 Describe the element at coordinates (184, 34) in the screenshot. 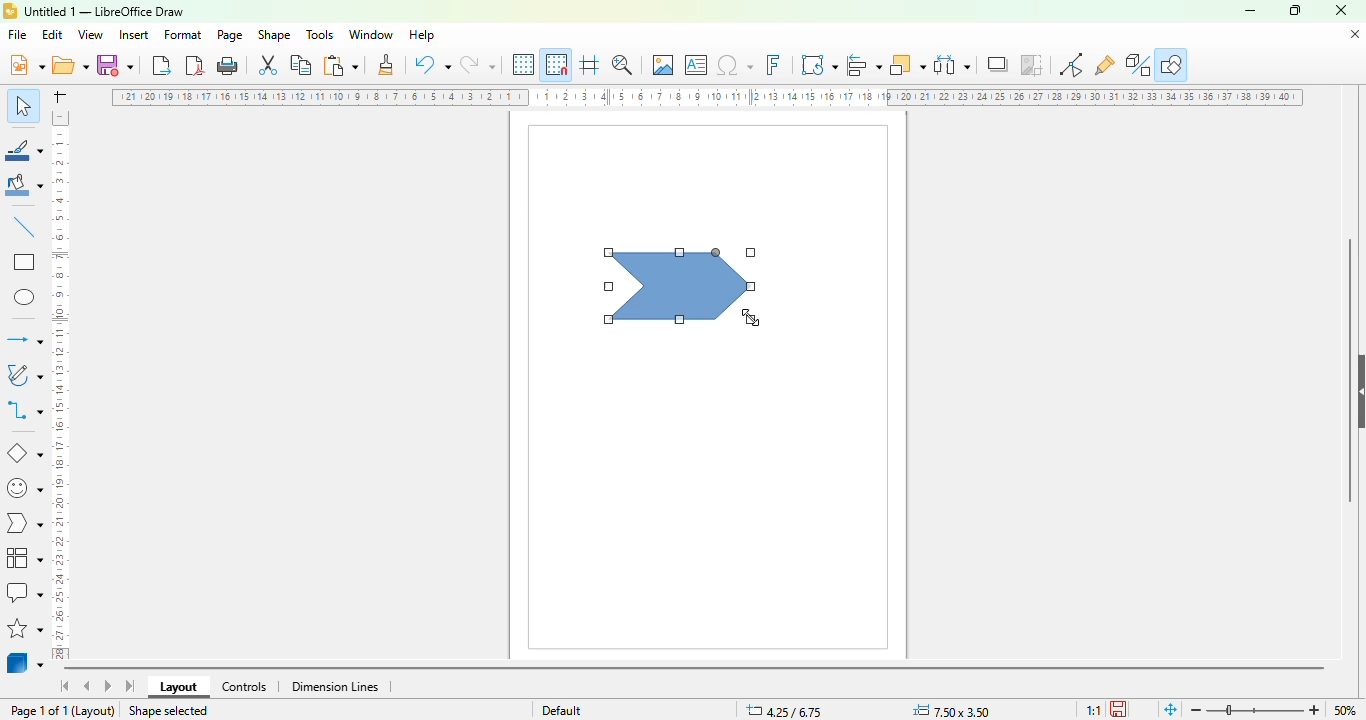

I see `format` at that location.